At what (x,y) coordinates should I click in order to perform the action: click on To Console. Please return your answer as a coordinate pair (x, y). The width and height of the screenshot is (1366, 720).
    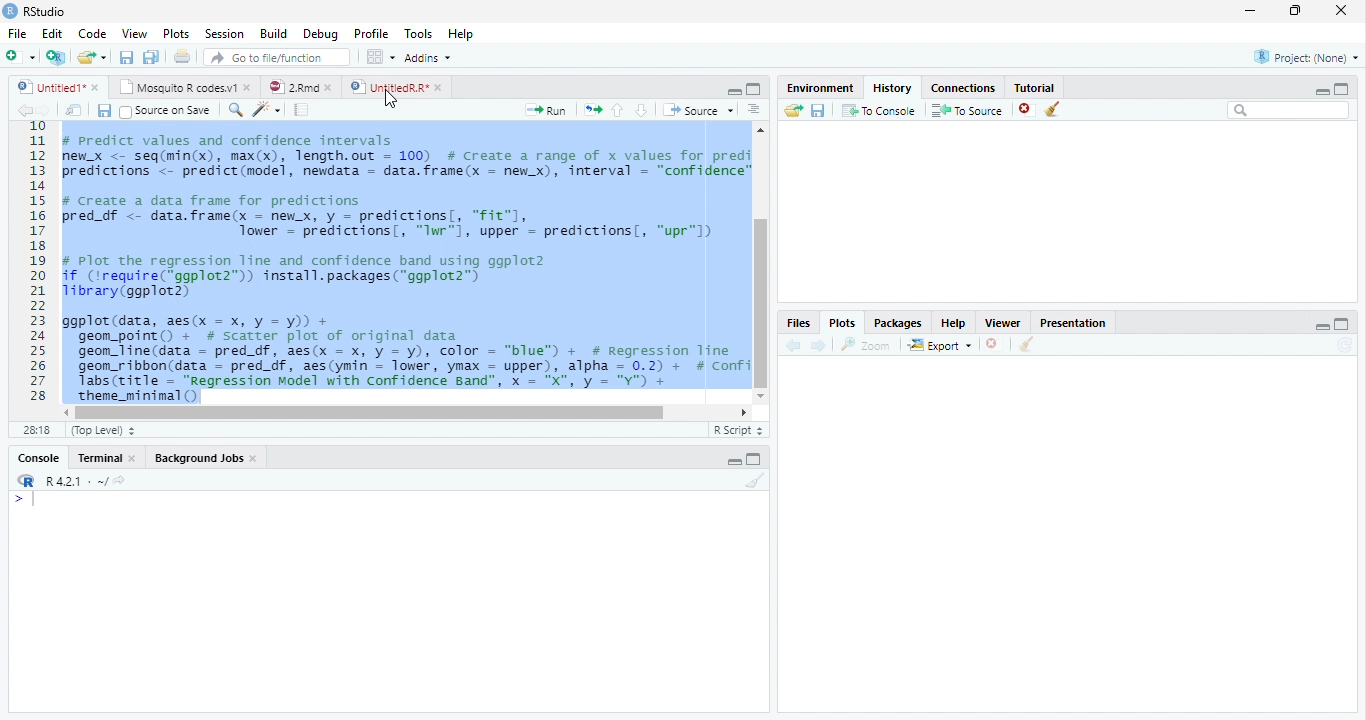
    Looking at the image, I should click on (878, 112).